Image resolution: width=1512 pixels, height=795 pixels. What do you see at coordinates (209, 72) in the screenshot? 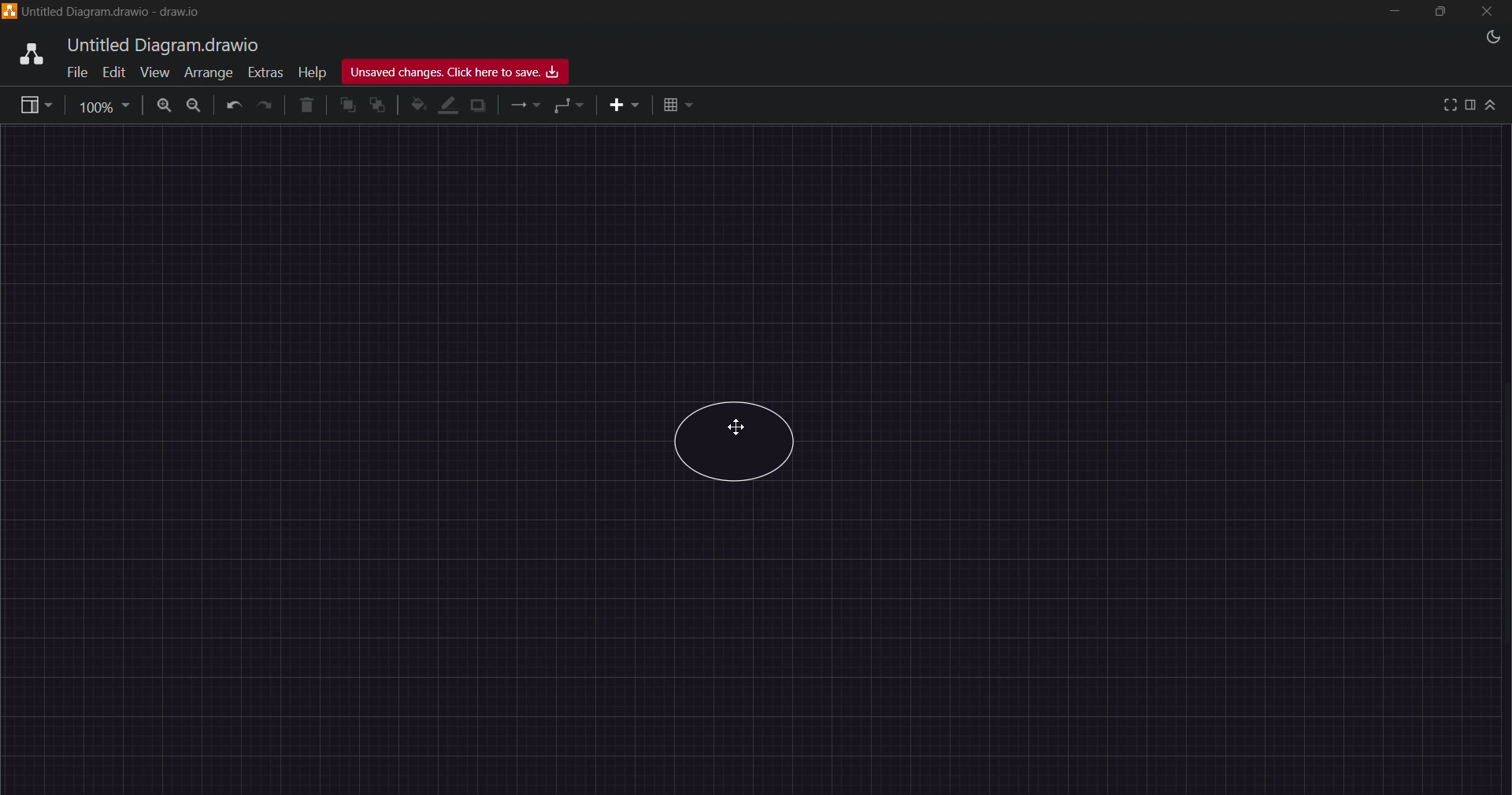
I see `arrange` at bounding box center [209, 72].